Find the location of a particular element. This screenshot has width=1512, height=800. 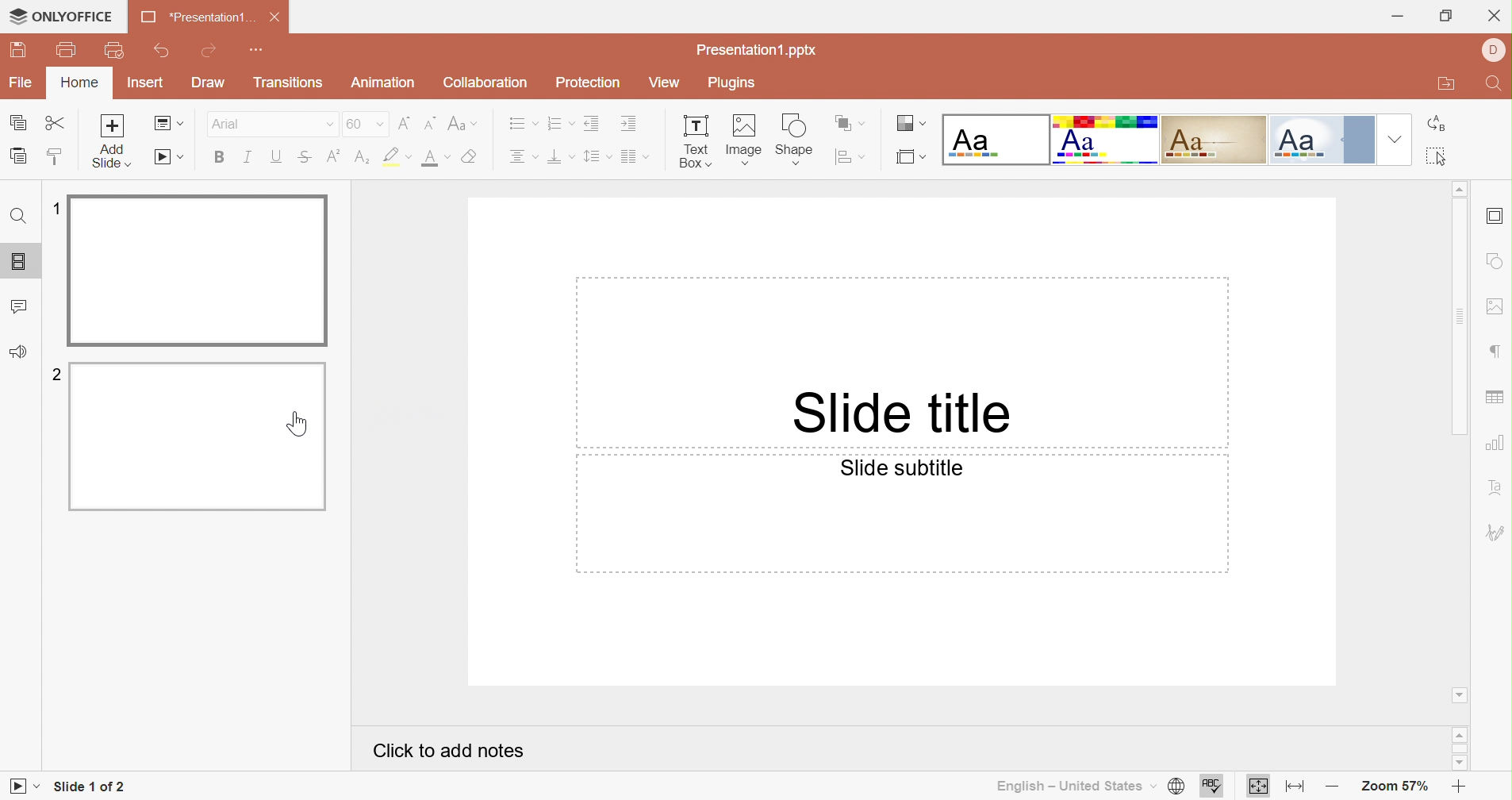

Home is located at coordinates (77, 83).